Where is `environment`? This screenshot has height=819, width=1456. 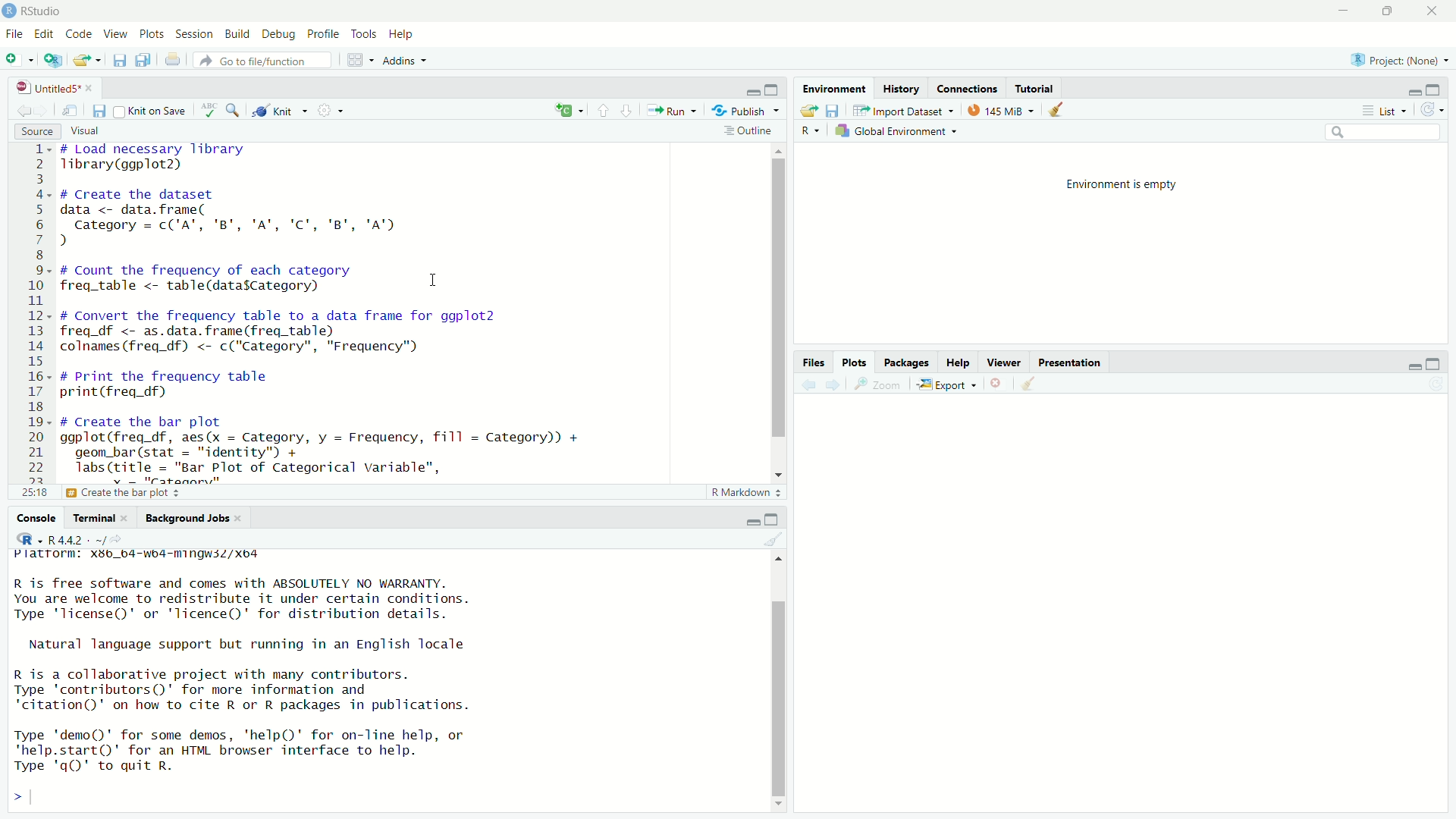
environment is located at coordinates (836, 88).